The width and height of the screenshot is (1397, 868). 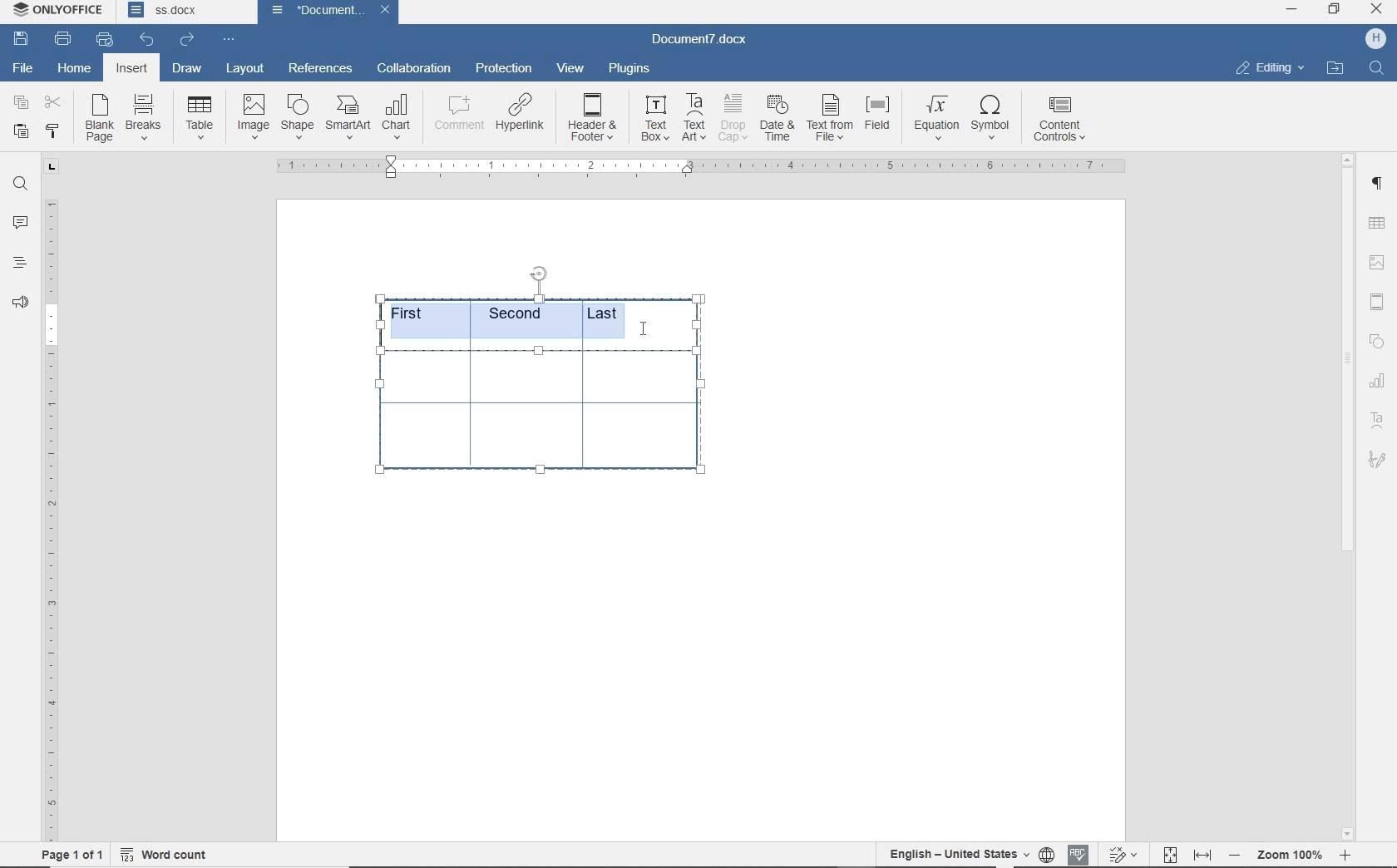 What do you see at coordinates (1336, 68) in the screenshot?
I see `OPEN FILE LOCATION` at bounding box center [1336, 68].